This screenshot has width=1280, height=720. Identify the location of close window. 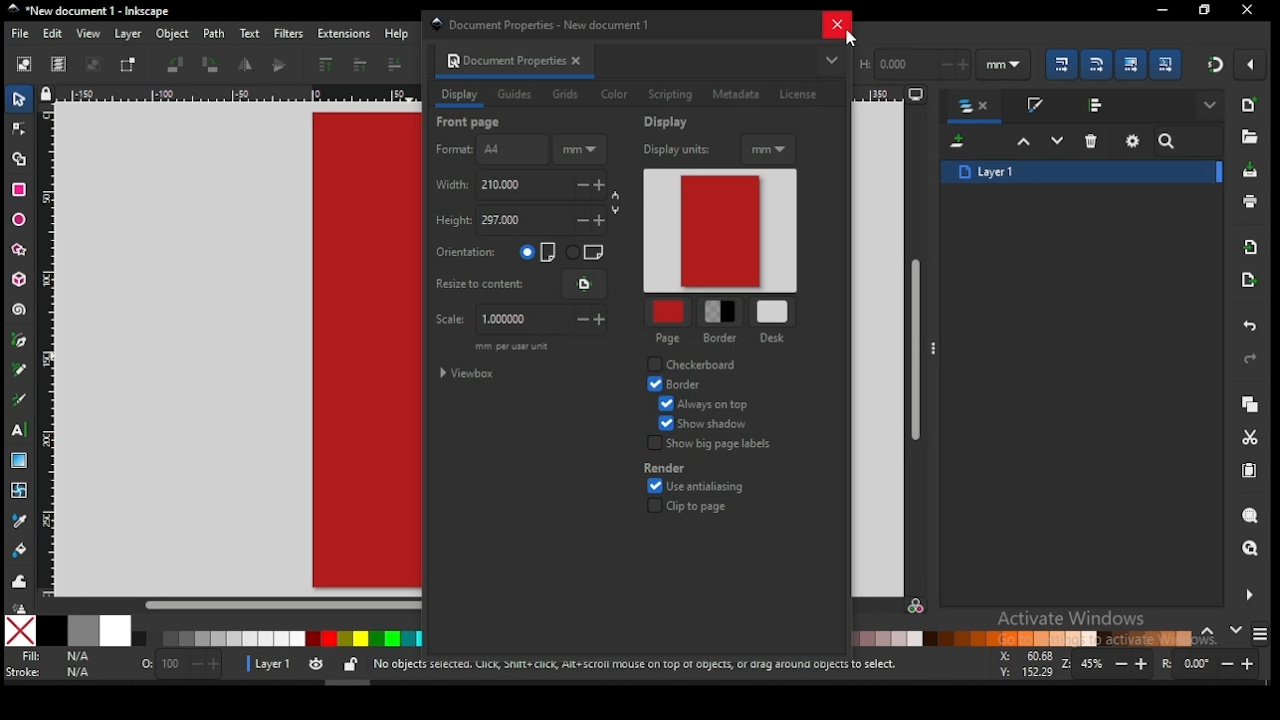
(1203, 10).